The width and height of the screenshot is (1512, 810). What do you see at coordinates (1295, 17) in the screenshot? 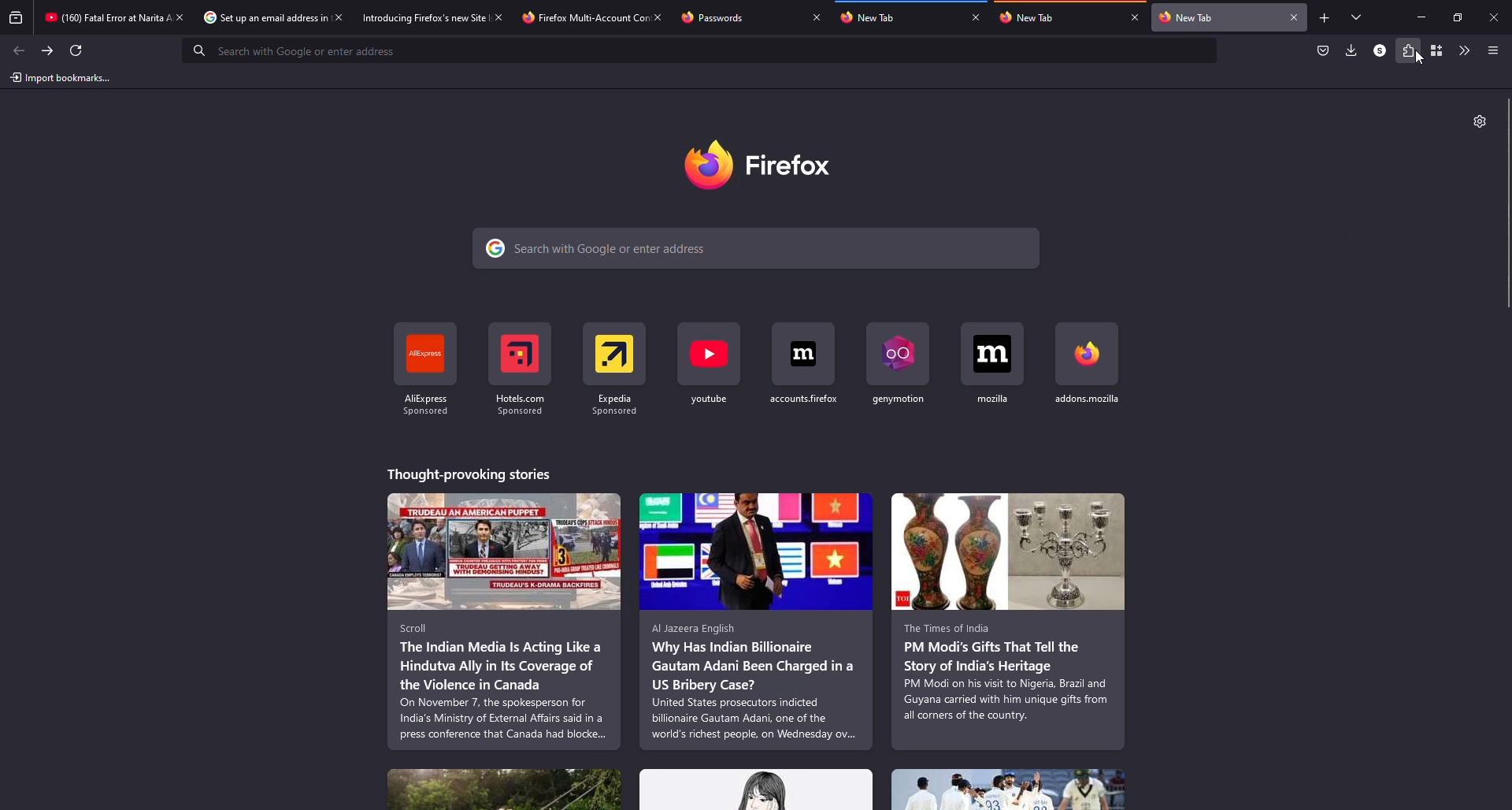
I see `close` at bounding box center [1295, 17].